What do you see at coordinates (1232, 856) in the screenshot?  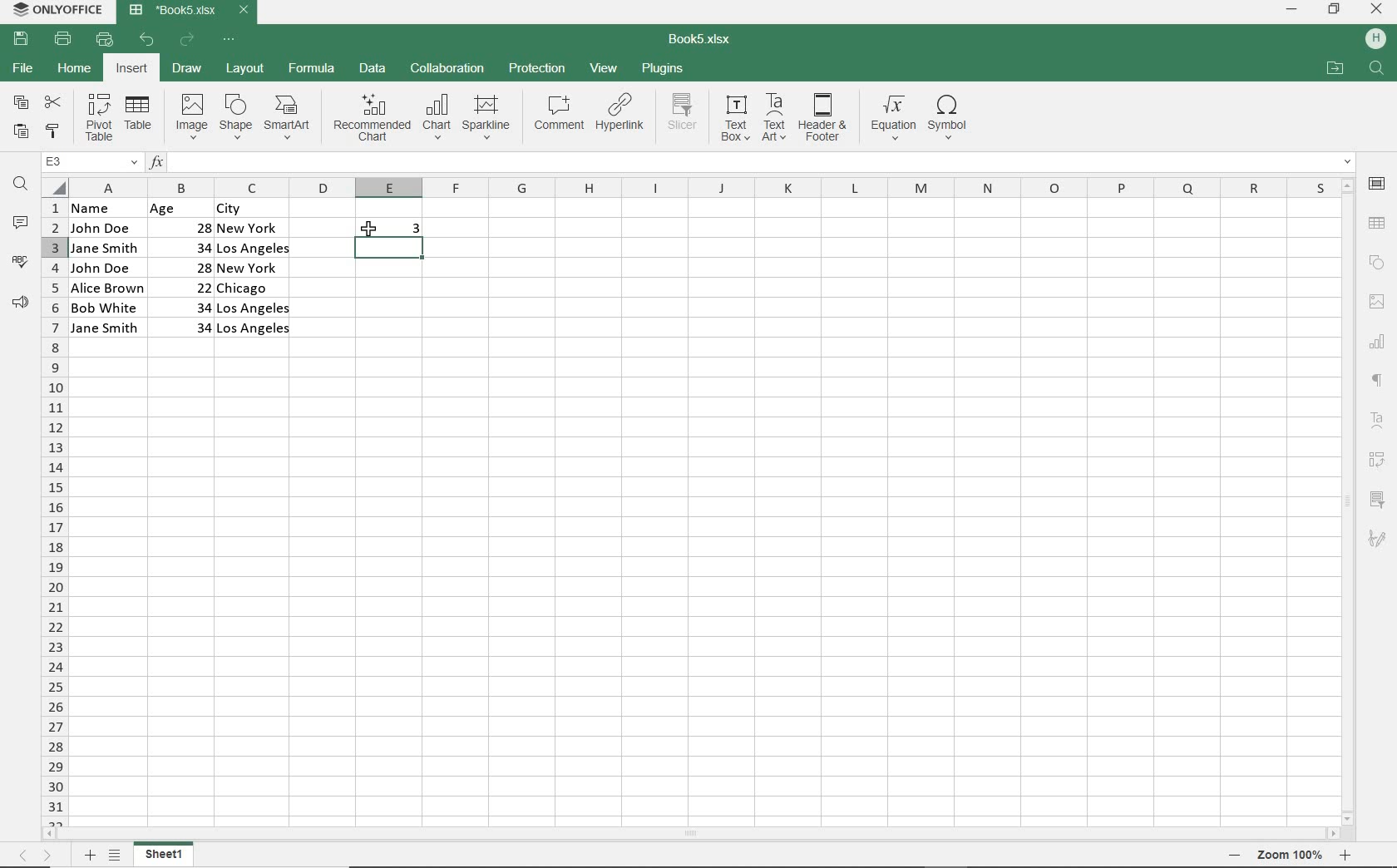 I see `zoom out` at bounding box center [1232, 856].